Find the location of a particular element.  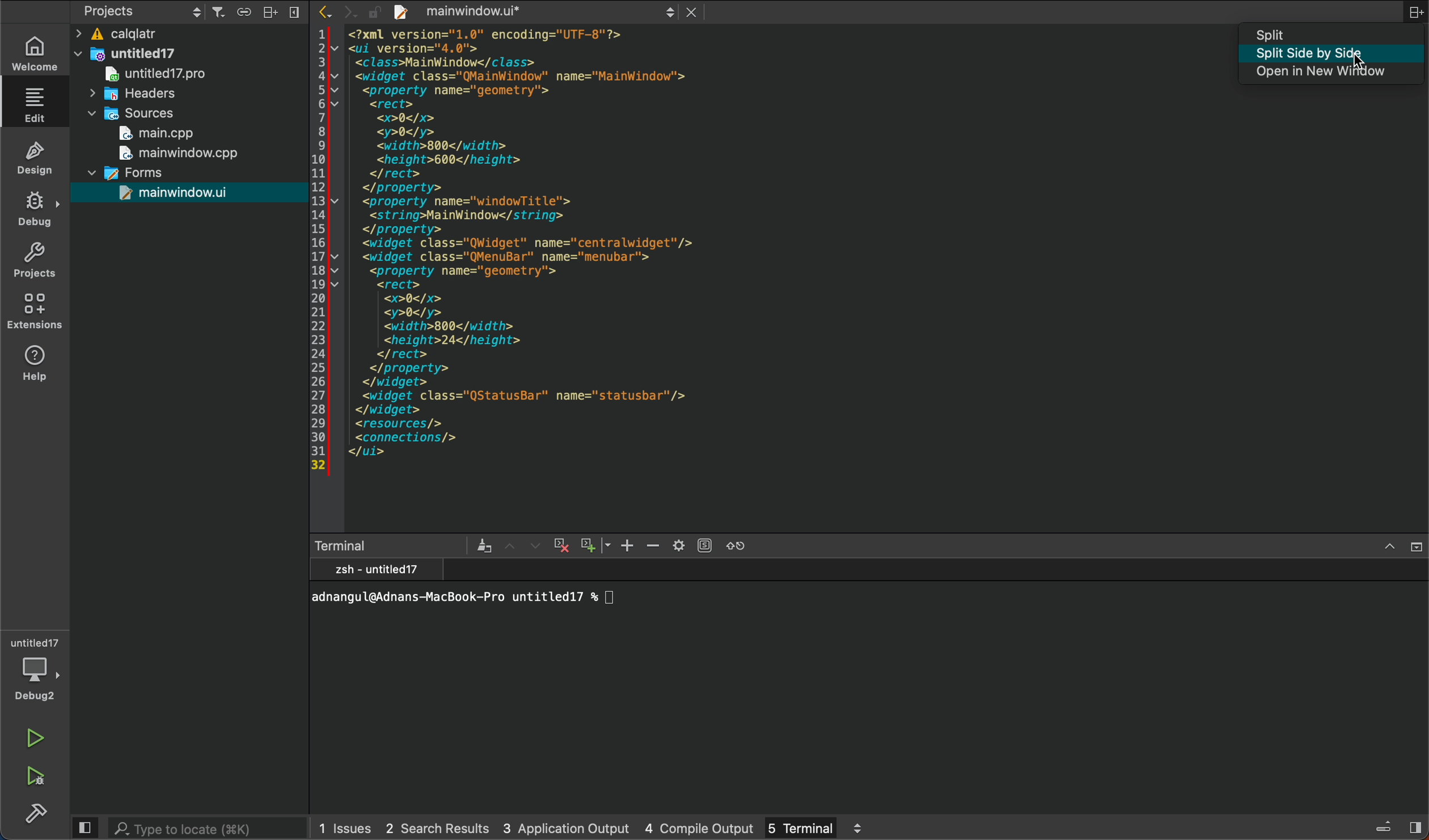

split is located at coordinates (1335, 34).